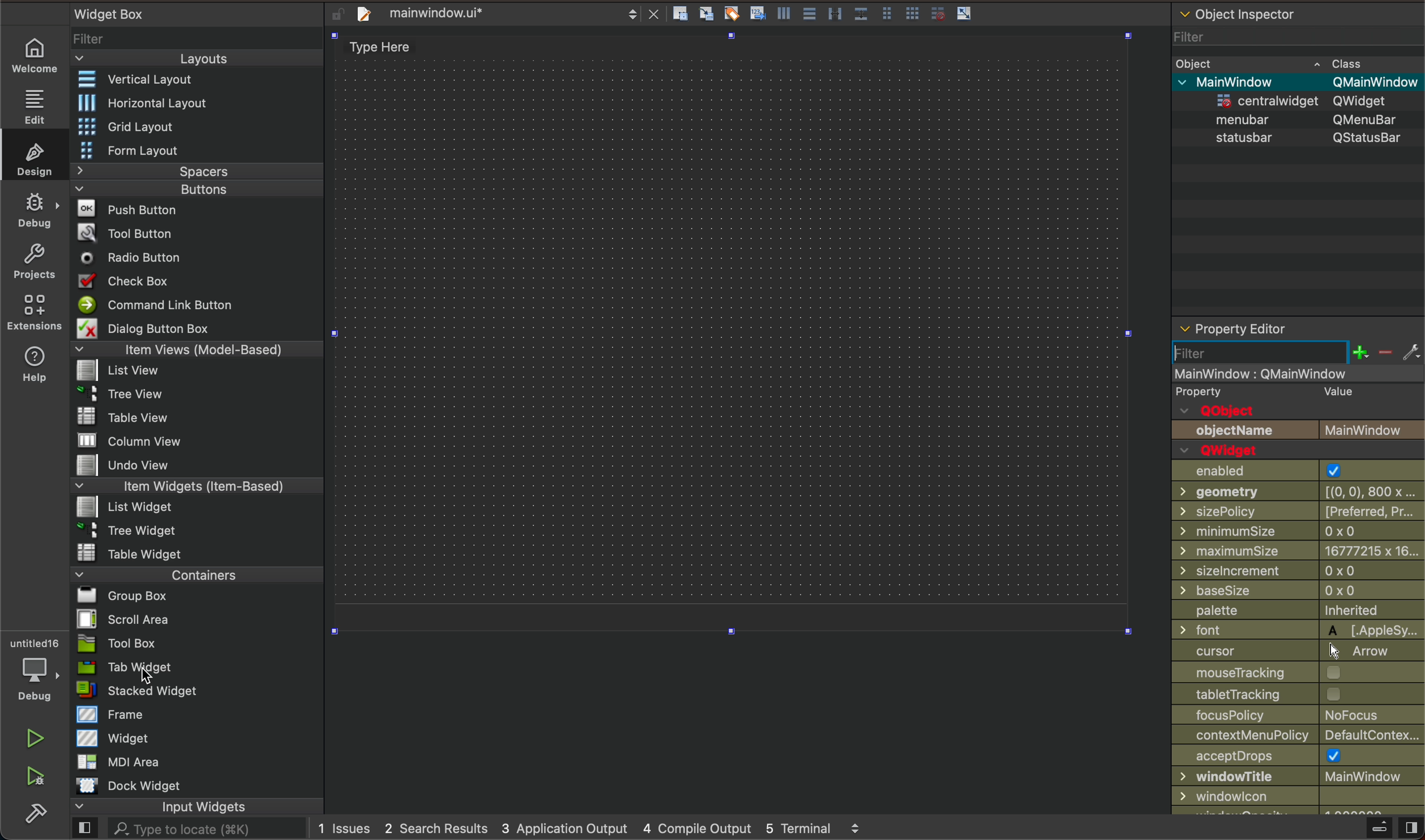 The height and width of the screenshot is (840, 1425). What do you see at coordinates (117, 466) in the screenshot?
I see `Undo View` at bounding box center [117, 466].